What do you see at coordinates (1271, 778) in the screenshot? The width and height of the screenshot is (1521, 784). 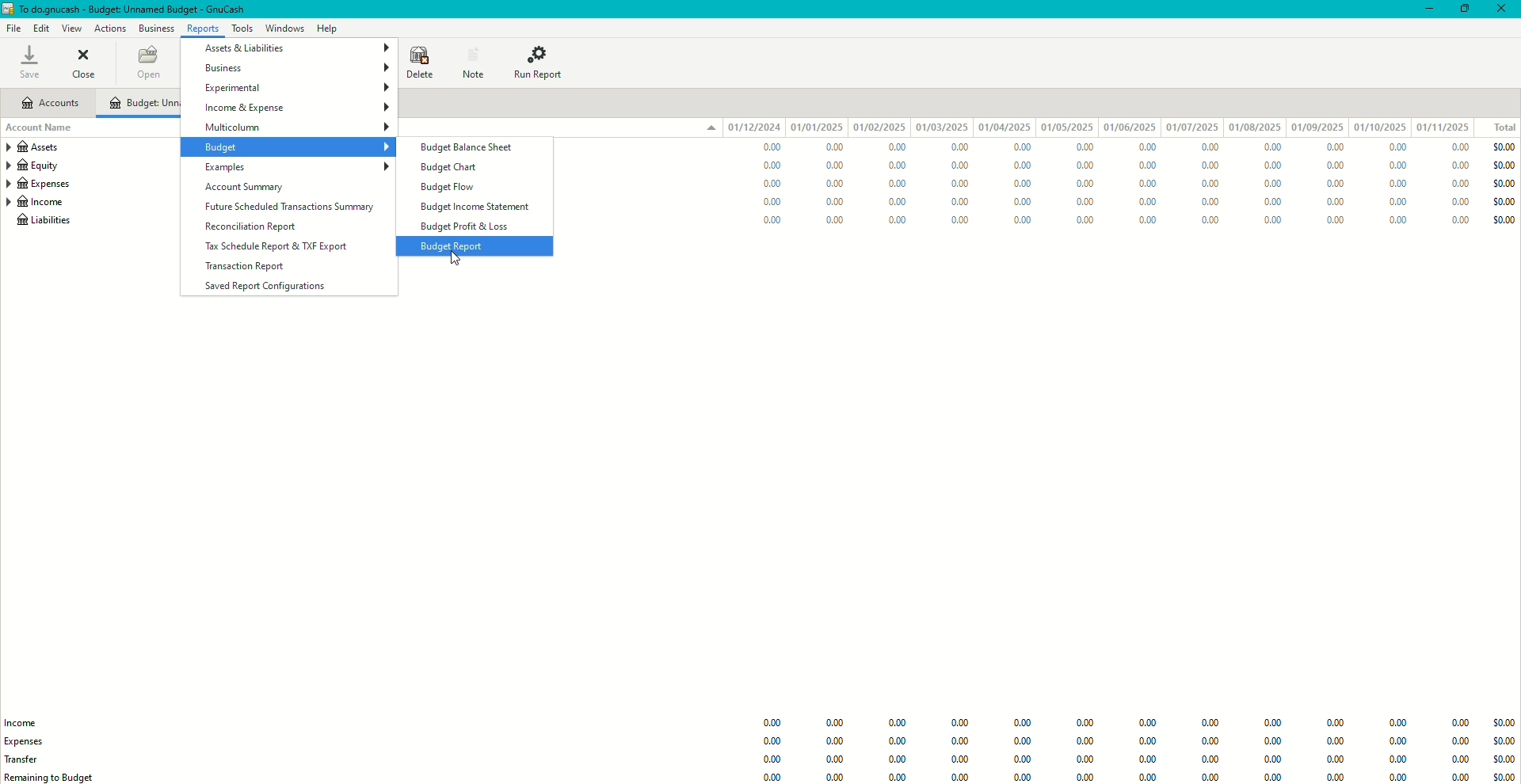 I see `0.00` at bounding box center [1271, 778].